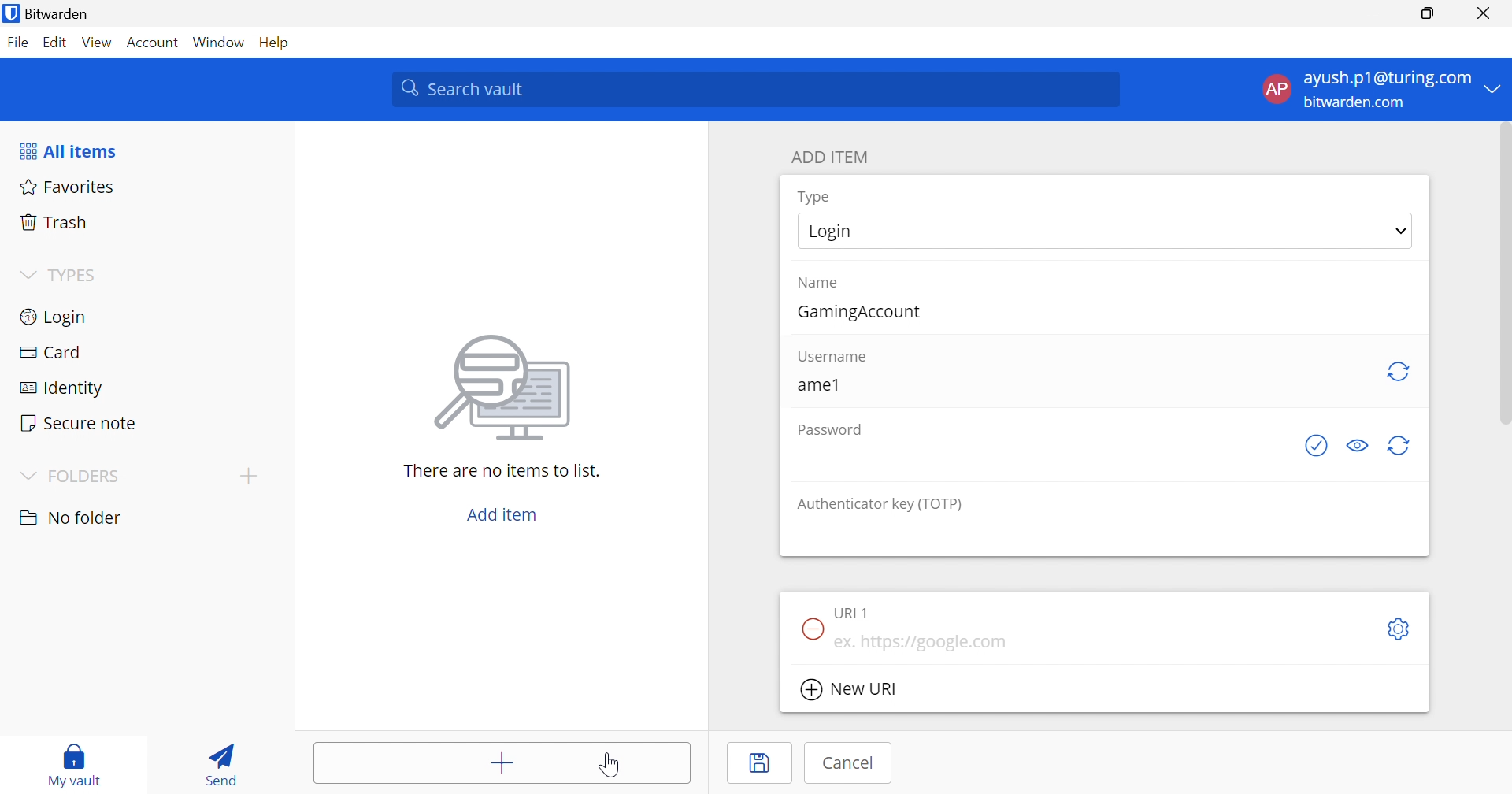 Image resolution: width=1512 pixels, height=794 pixels. Describe the element at coordinates (828, 431) in the screenshot. I see `Password` at that location.